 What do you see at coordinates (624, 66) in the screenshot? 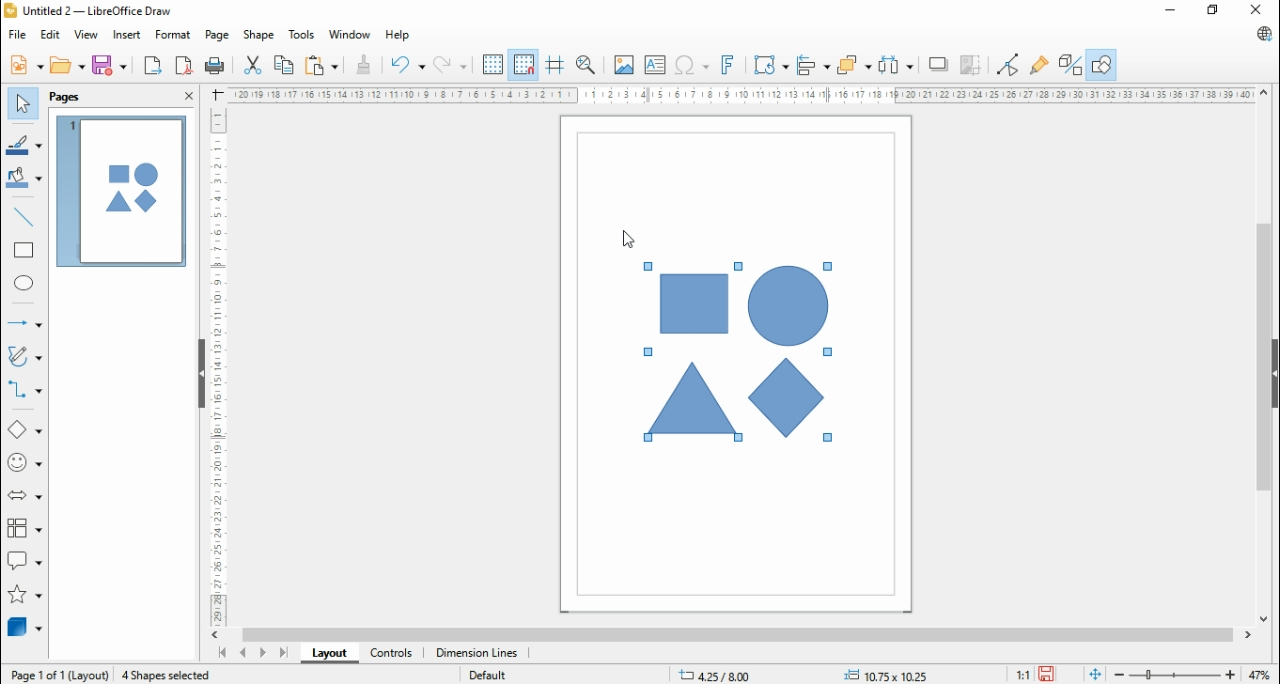
I see `insert image` at bounding box center [624, 66].